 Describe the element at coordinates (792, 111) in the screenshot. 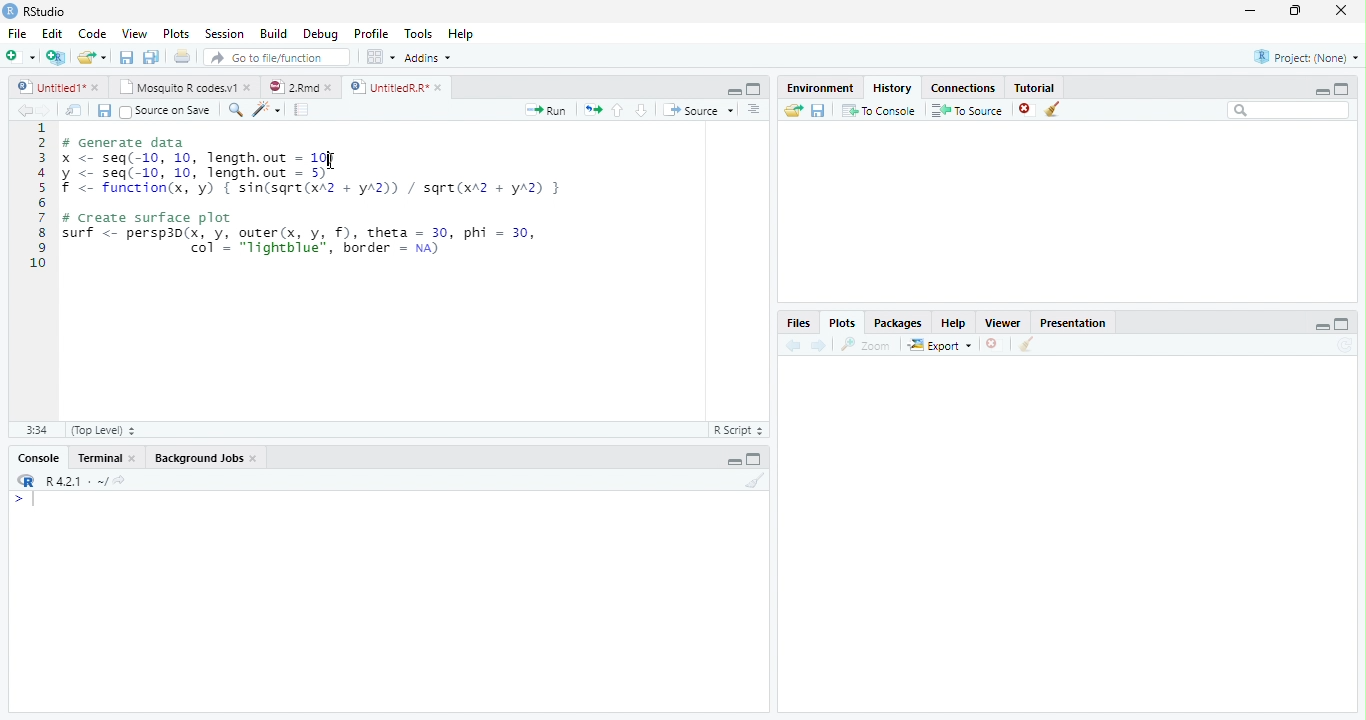

I see `Load history from an existing file` at that location.